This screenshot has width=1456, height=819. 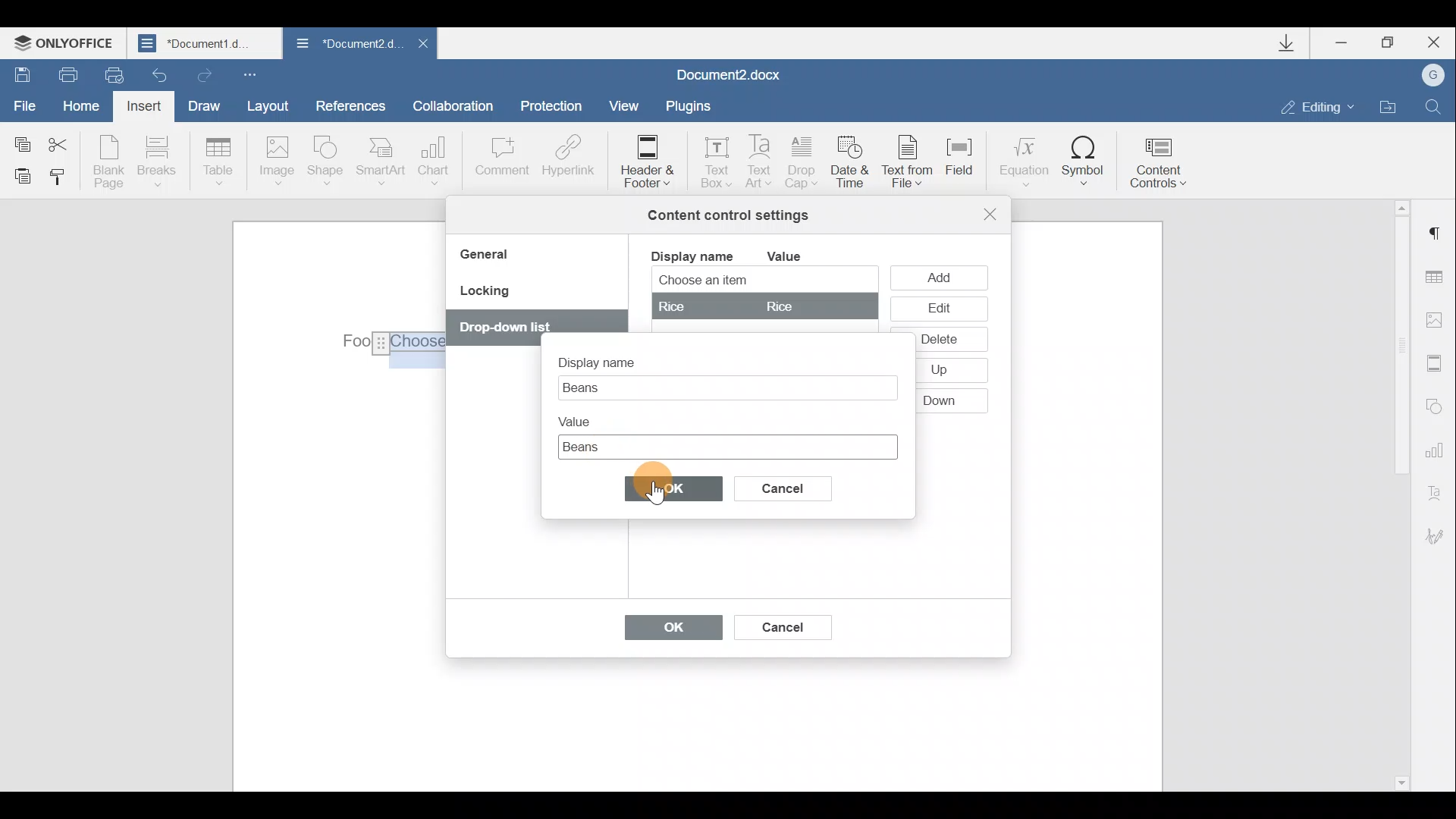 I want to click on Content controls, so click(x=1164, y=158).